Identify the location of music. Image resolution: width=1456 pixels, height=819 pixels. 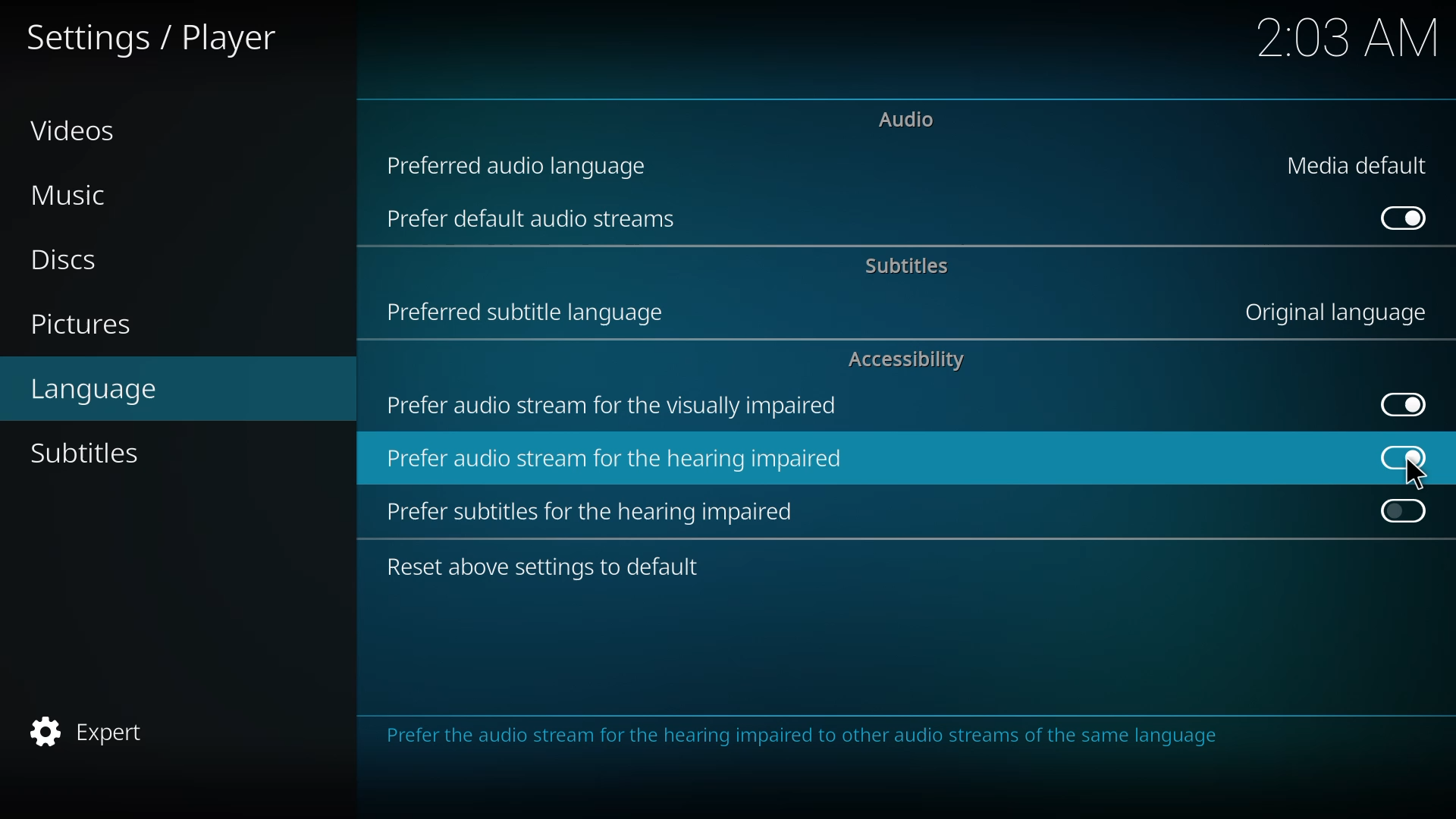
(71, 196).